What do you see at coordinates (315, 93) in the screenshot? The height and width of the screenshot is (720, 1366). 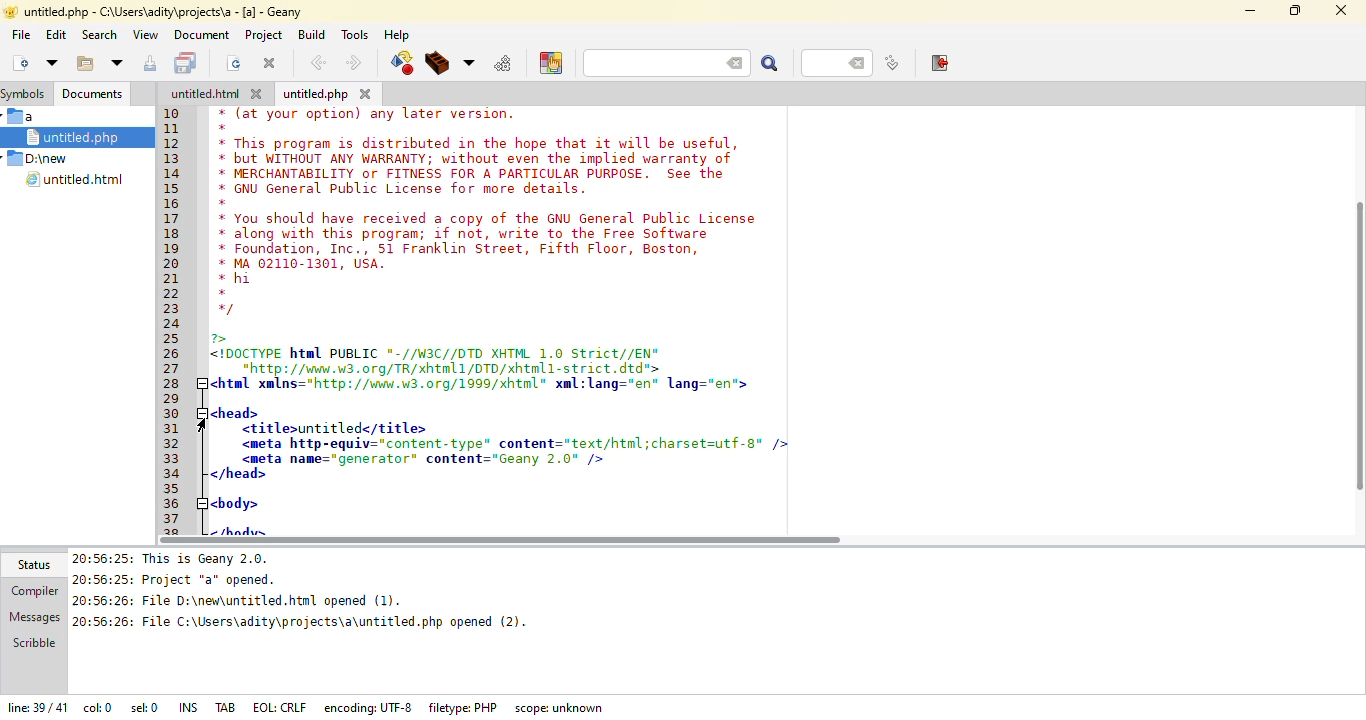 I see `untitled.php` at bounding box center [315, 93].